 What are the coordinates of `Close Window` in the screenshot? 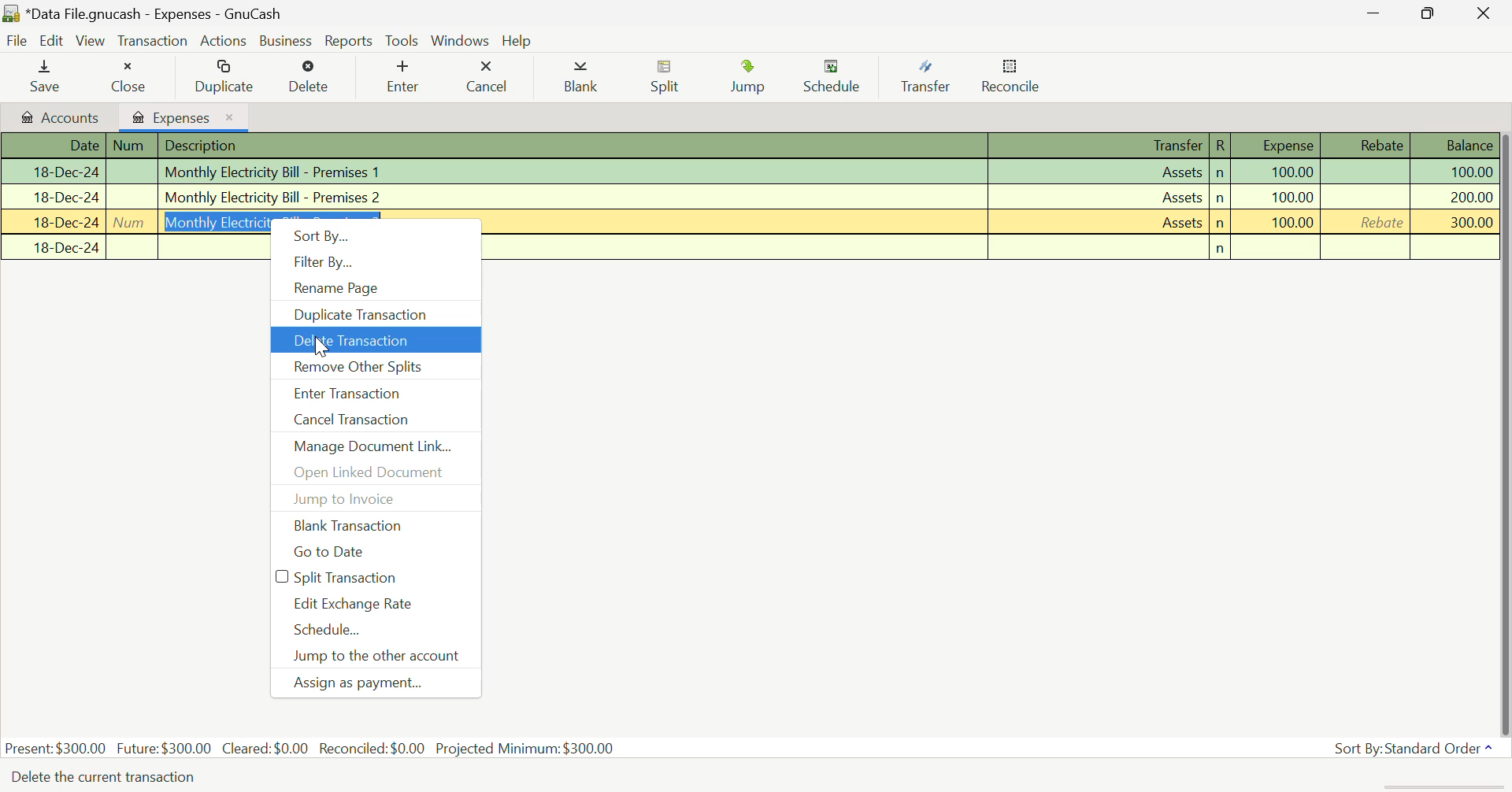 It's located at (1485, 13).